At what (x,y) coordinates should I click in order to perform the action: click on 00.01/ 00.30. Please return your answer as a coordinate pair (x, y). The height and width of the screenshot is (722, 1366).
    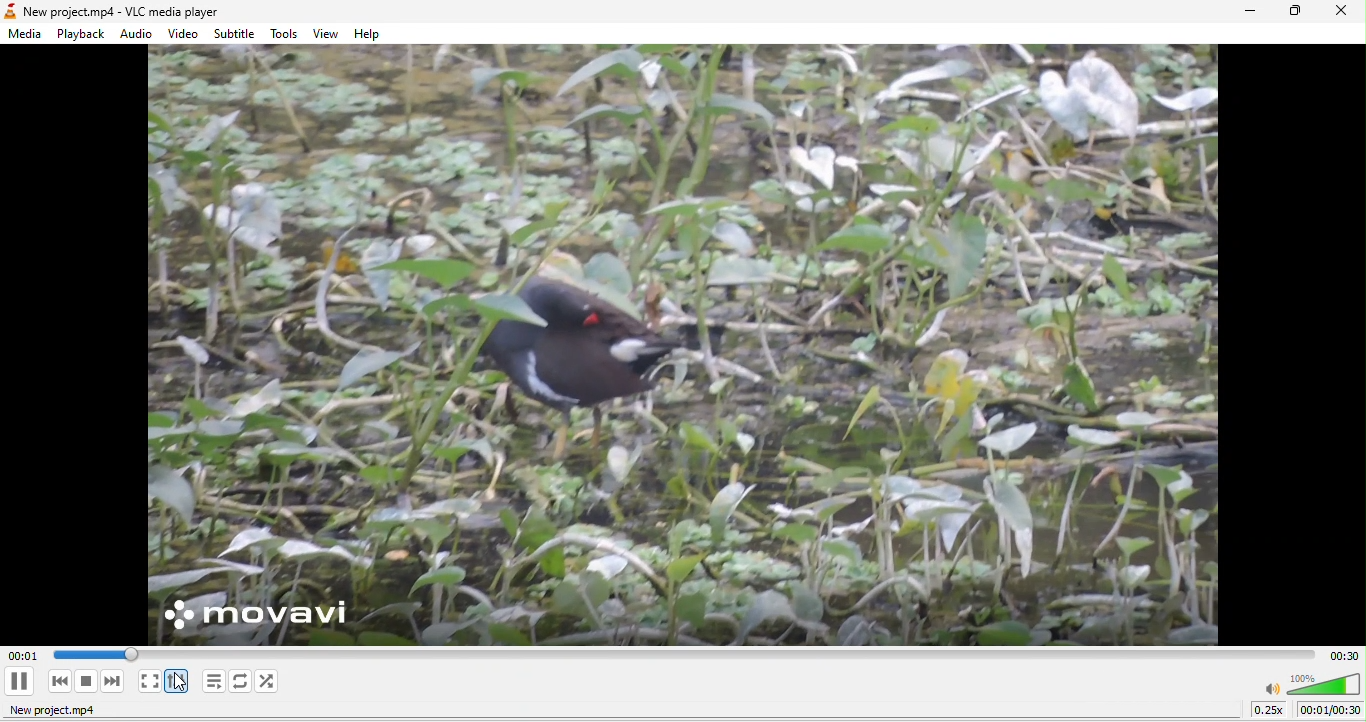
    Looking at the image, I should click on (1331, 711).